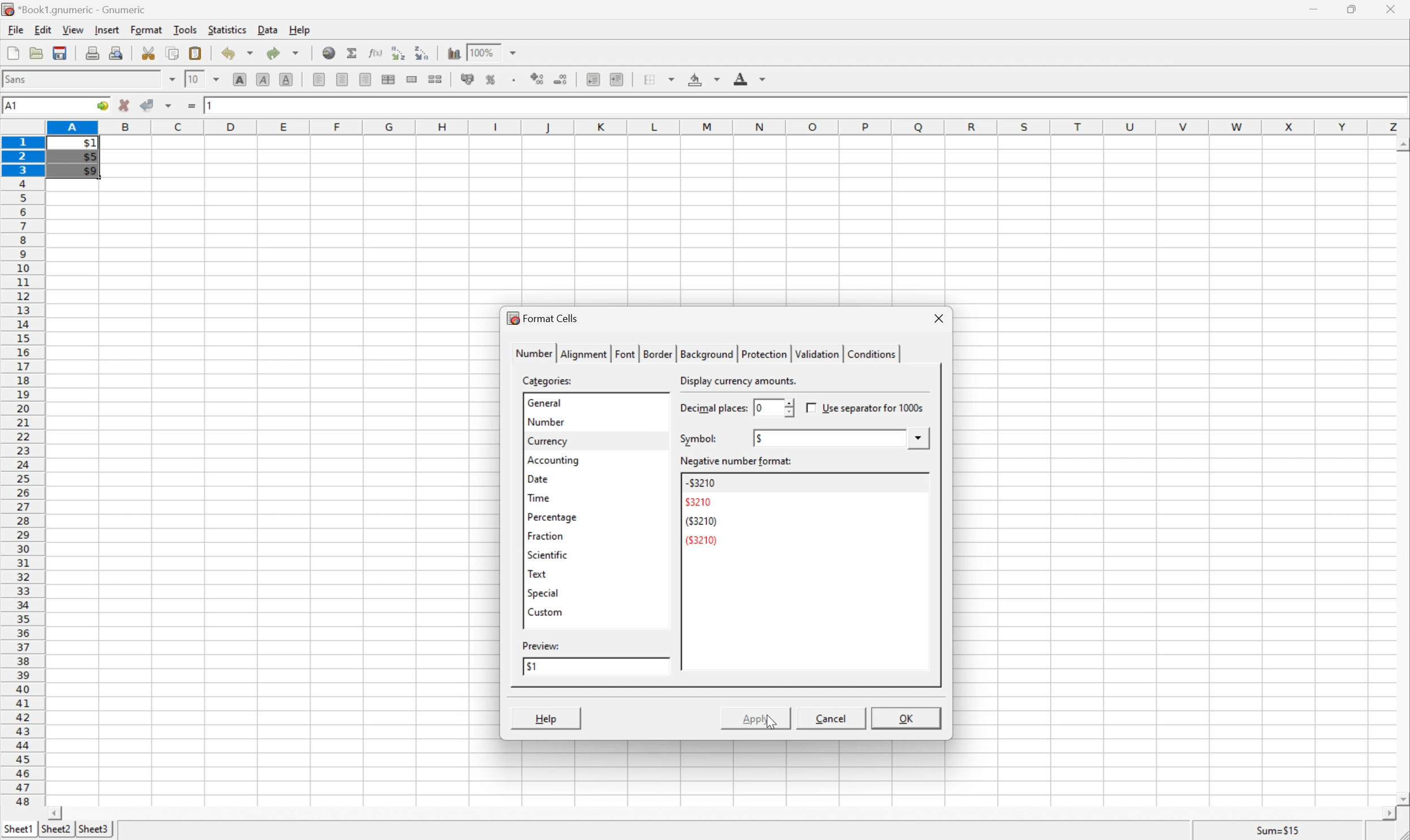 Image resolution: width=1410 pixels, height=840 pixels. What do you see at coordinates (544, 593) in the screenshot?
I see `special` at bounding box center [544, 593].